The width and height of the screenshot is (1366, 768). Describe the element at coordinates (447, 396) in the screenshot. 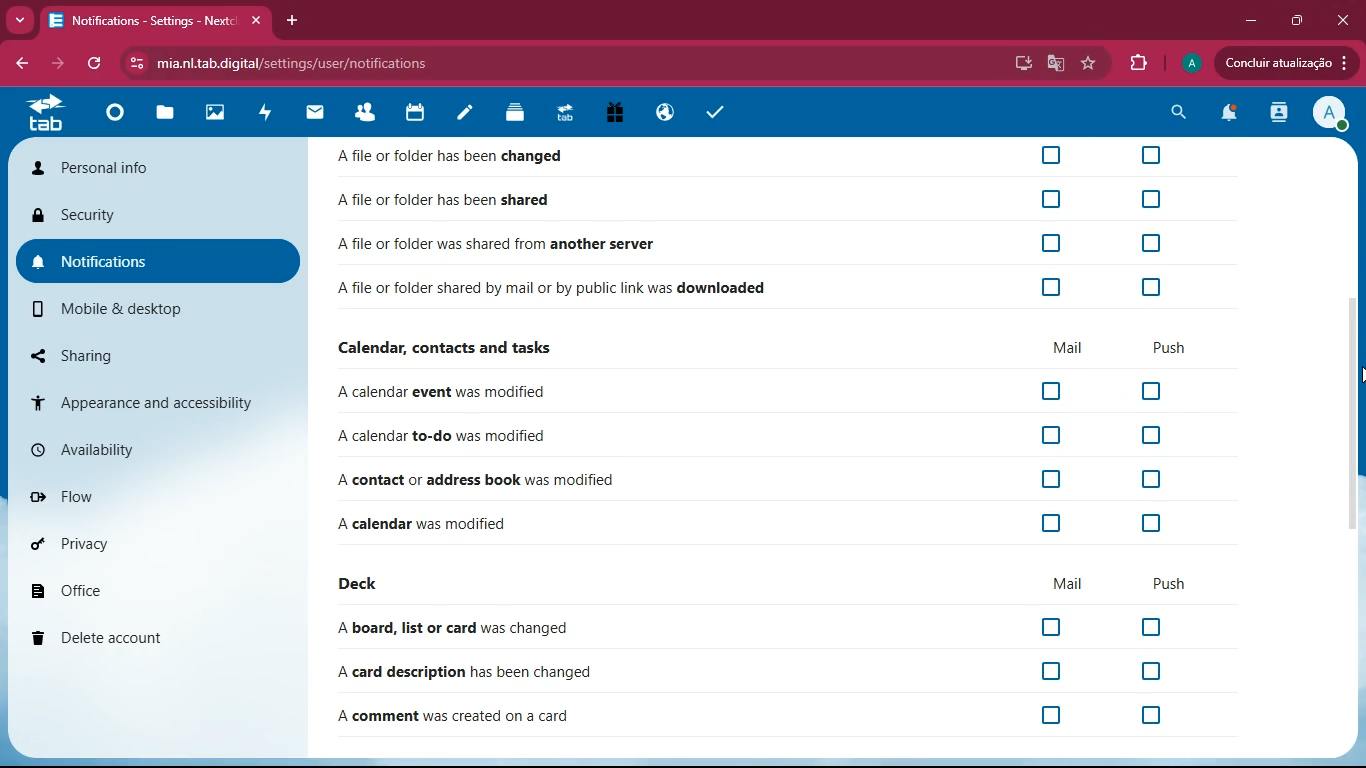

I see `A calendar event was modified` at that location.